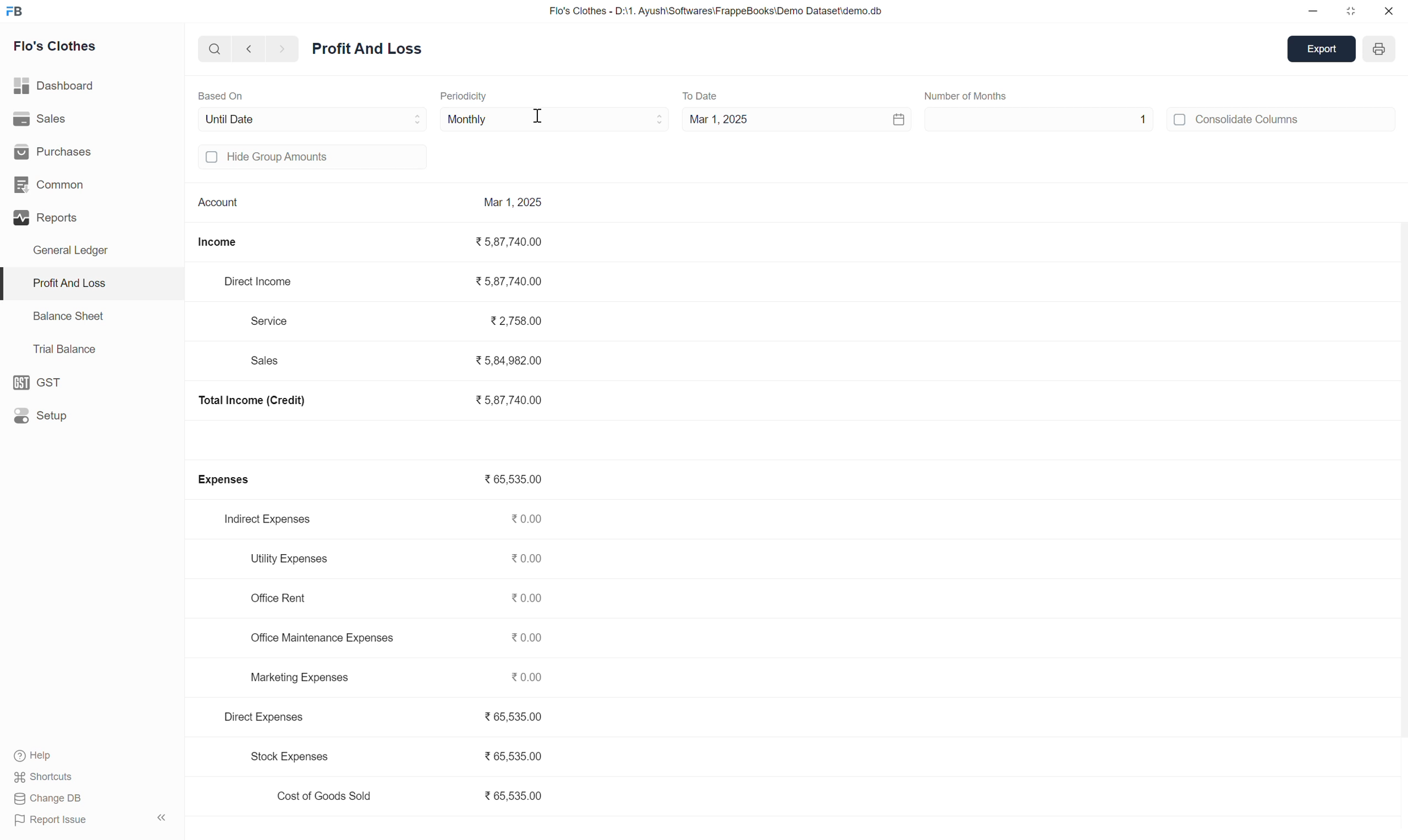 The height and width of the screenshot is (840, 1408). I want to click on General Ledger, so click(82, 254).